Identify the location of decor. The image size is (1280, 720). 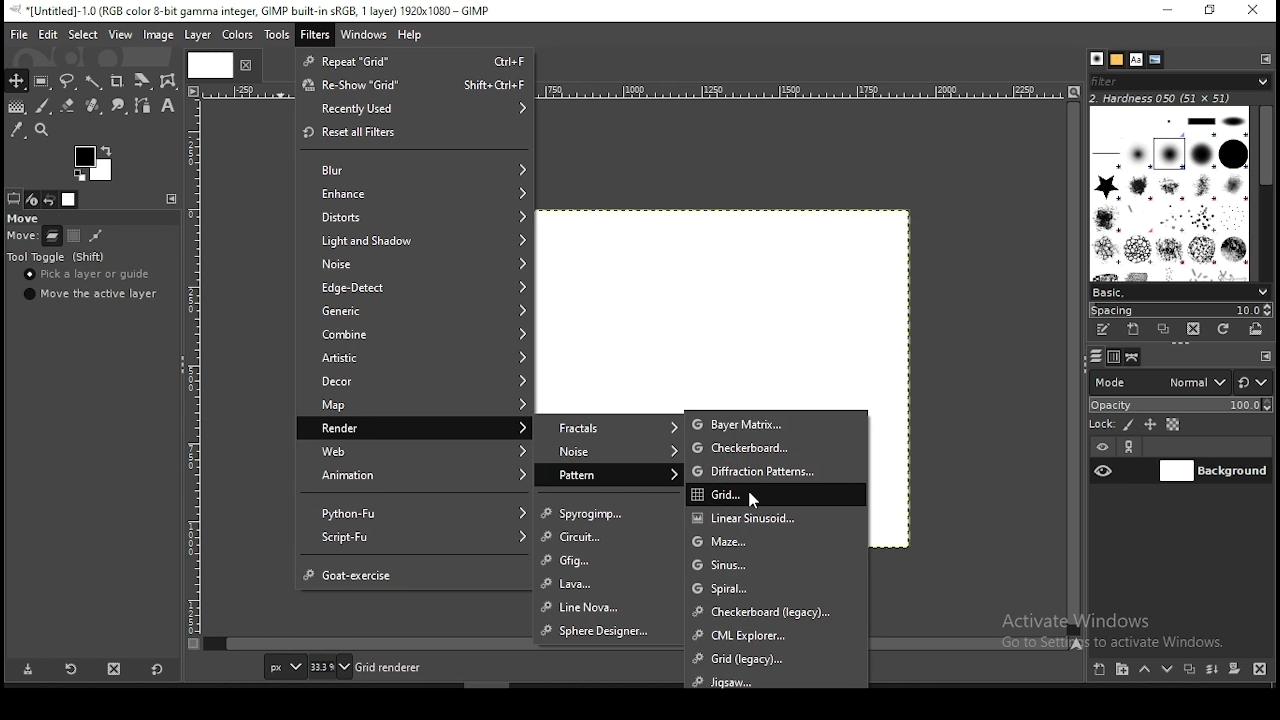
(412, 380).